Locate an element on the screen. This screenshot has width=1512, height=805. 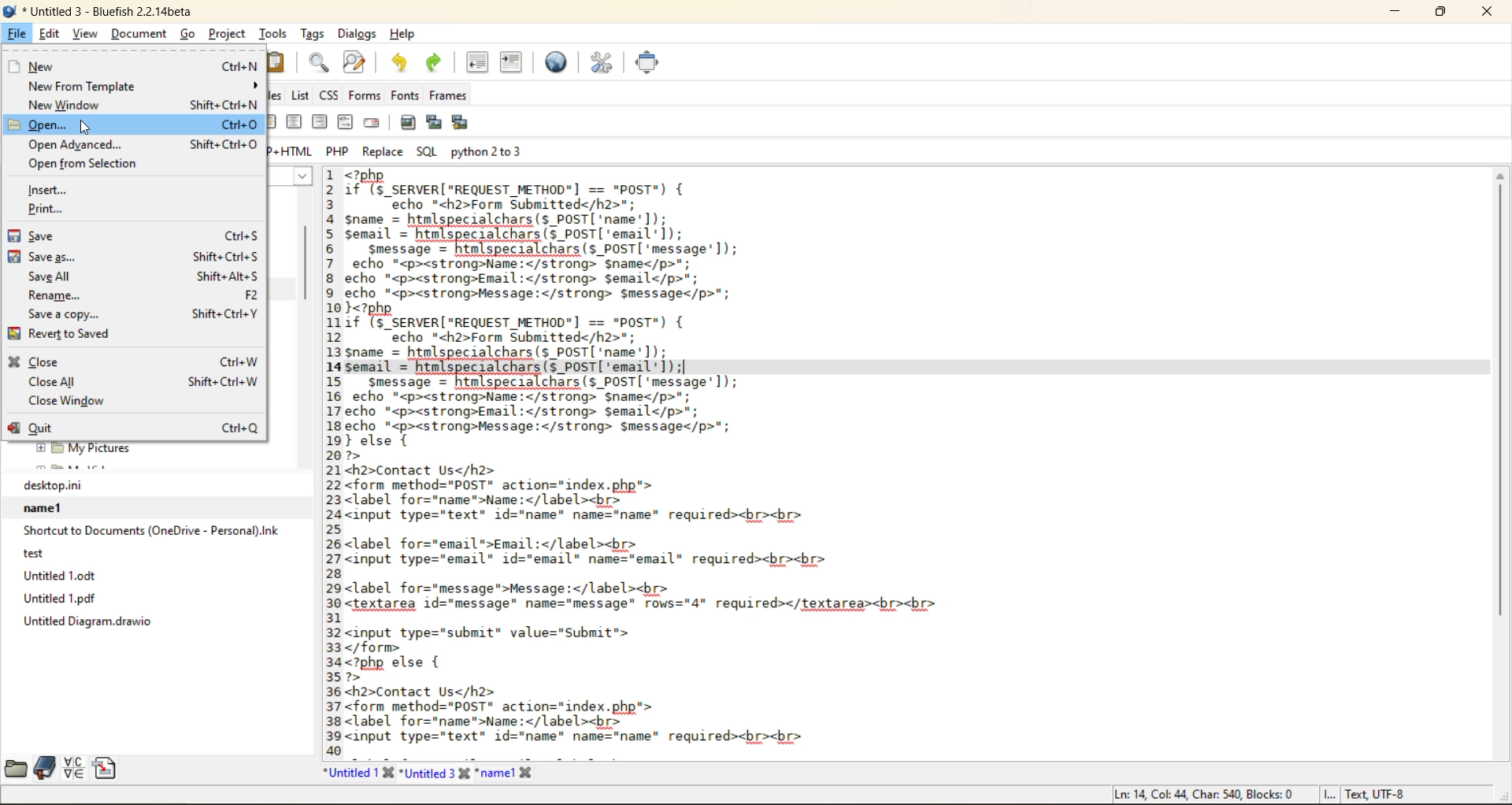
document is located at coordinates (139, 38).